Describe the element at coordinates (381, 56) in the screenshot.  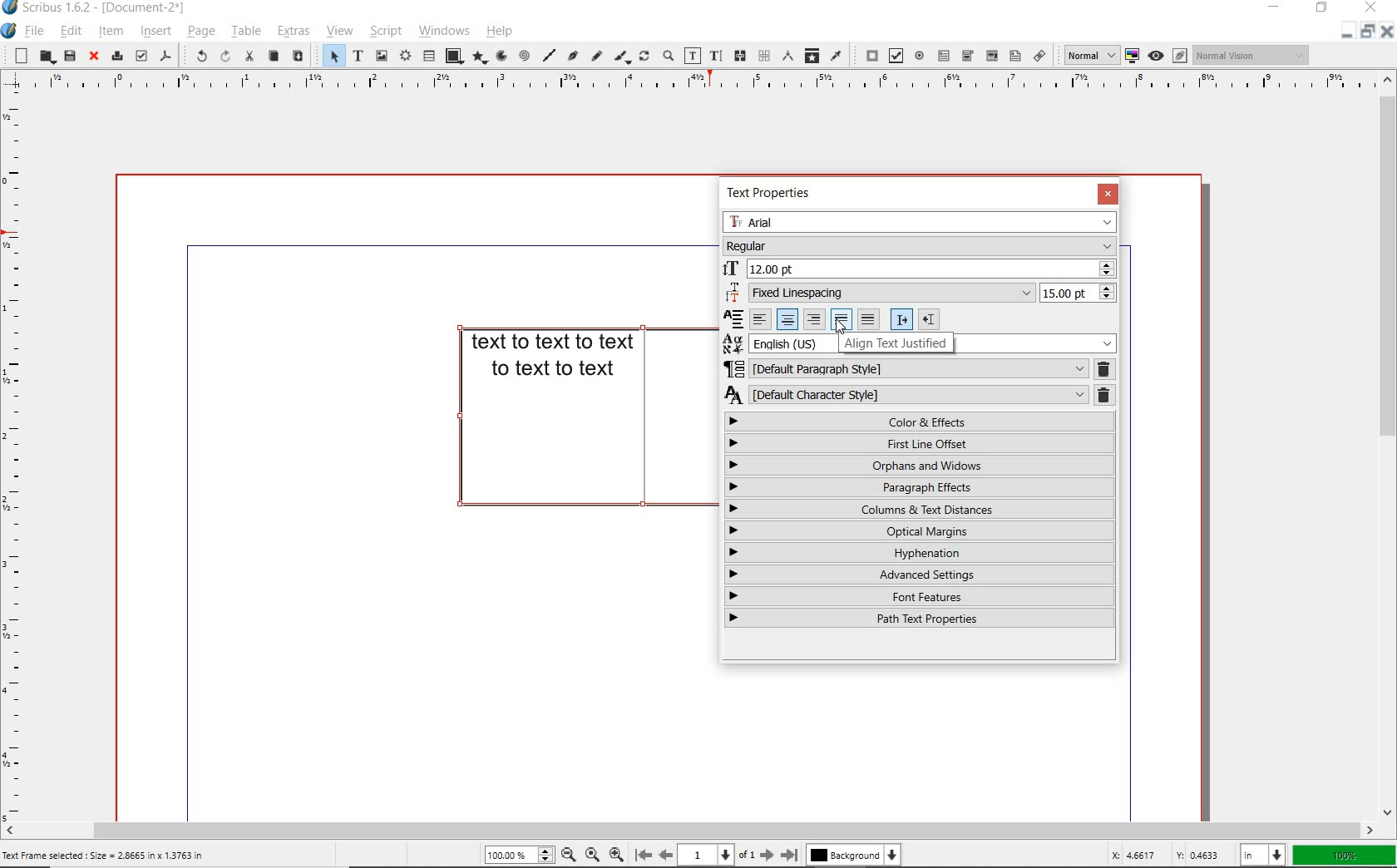
I see `image frame` at that location.